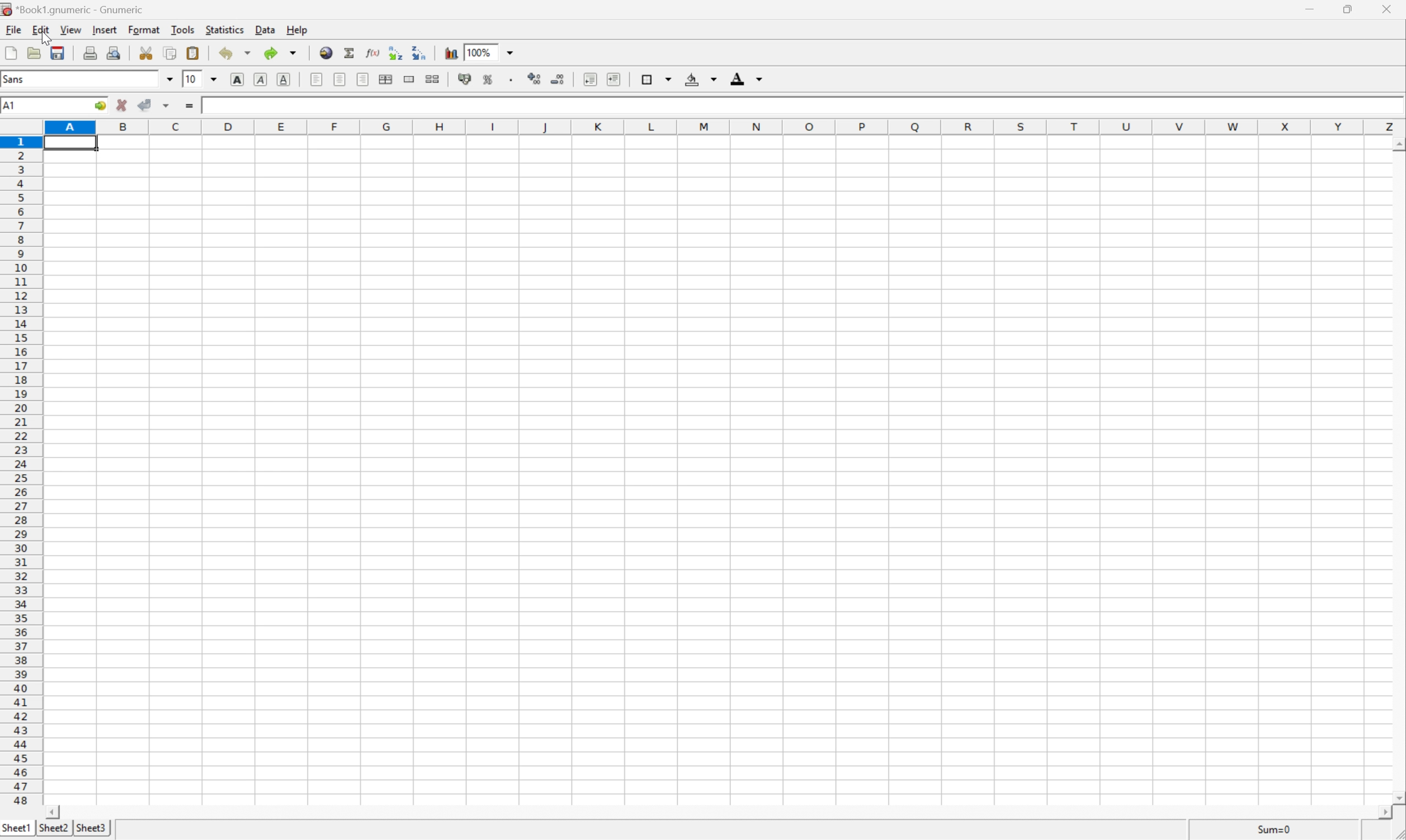 This screenshot has height=840, width=1406. Describe the element at coordinates (317, 79) in the screenshot. I see `align left` at that location.